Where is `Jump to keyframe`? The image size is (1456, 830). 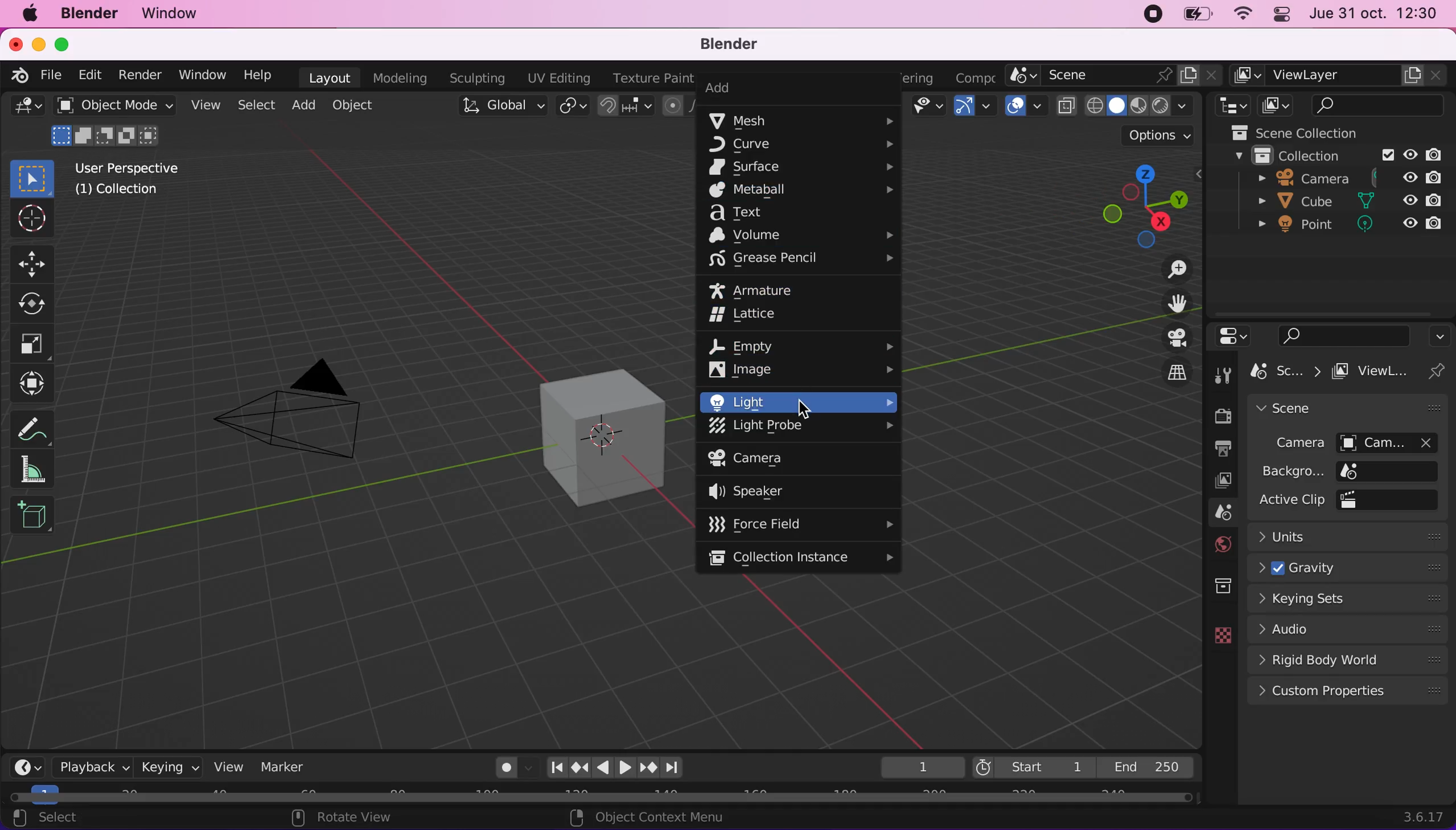 Jump to keyframe is located at coordinates (578, 768).